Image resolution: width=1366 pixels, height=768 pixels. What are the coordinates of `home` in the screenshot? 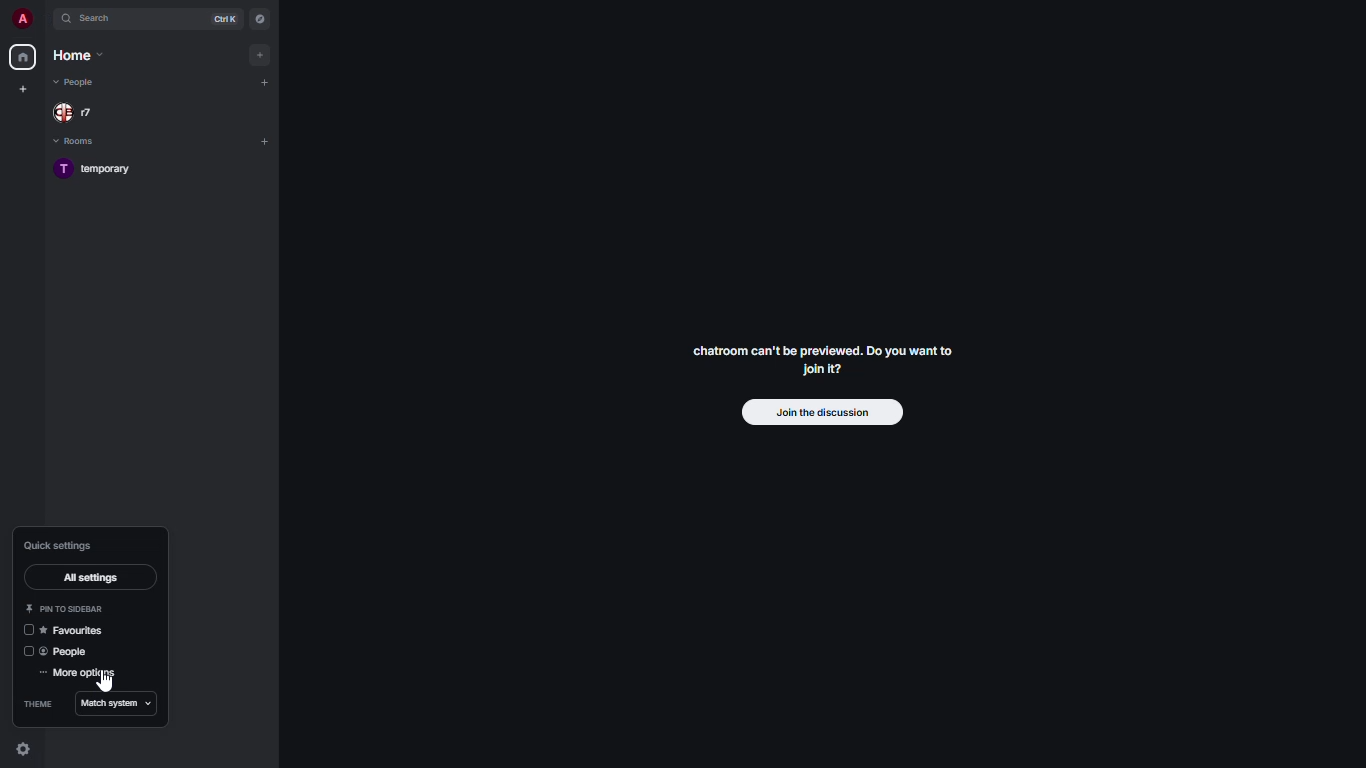 It's located at (81, 55).